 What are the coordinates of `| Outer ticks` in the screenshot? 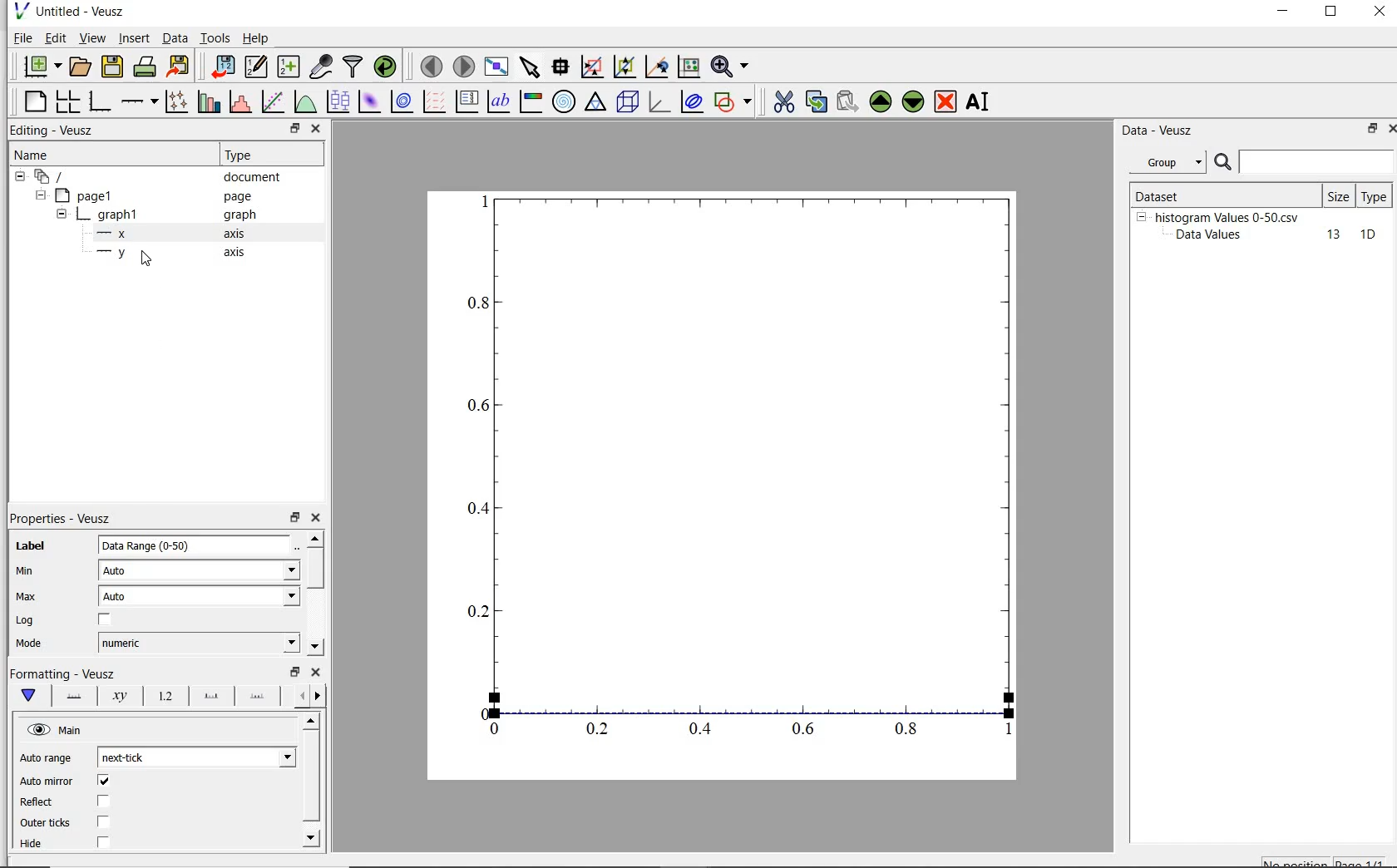 It's located at (47, 822).